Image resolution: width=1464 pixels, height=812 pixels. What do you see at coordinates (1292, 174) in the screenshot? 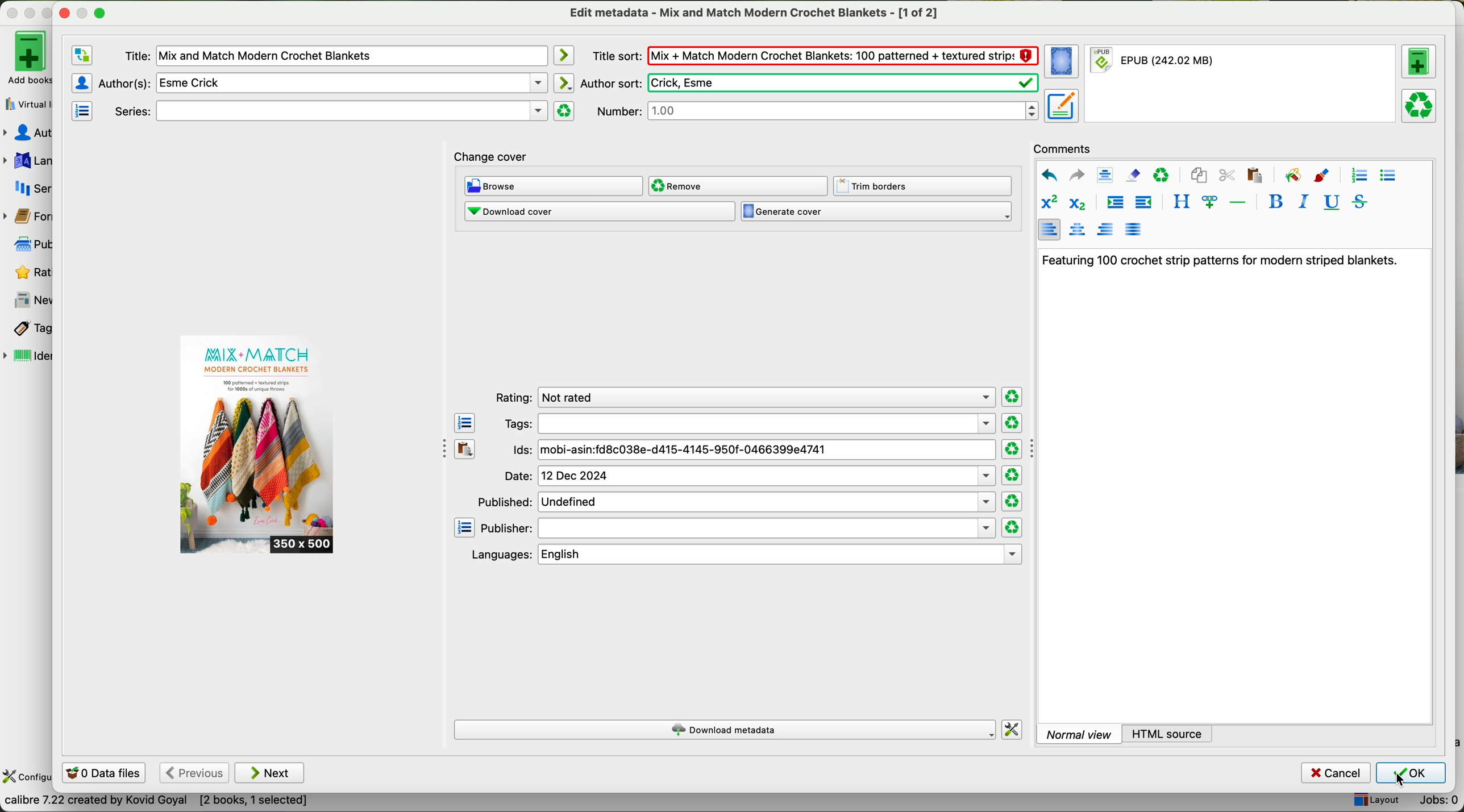
I see `background color` at bounding box center [1292, 174].